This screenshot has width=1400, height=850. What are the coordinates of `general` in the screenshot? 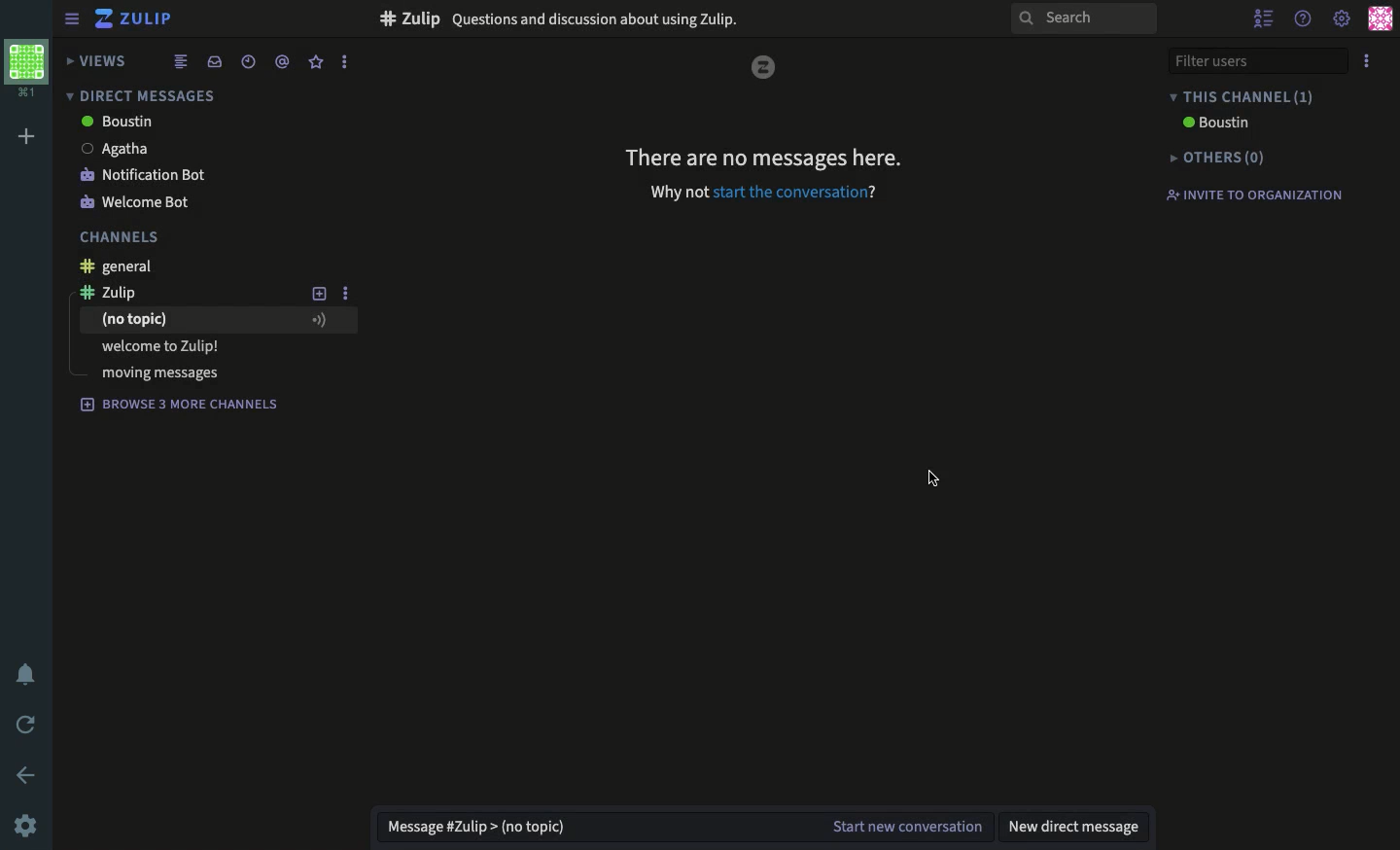 It's located at (123, 266).